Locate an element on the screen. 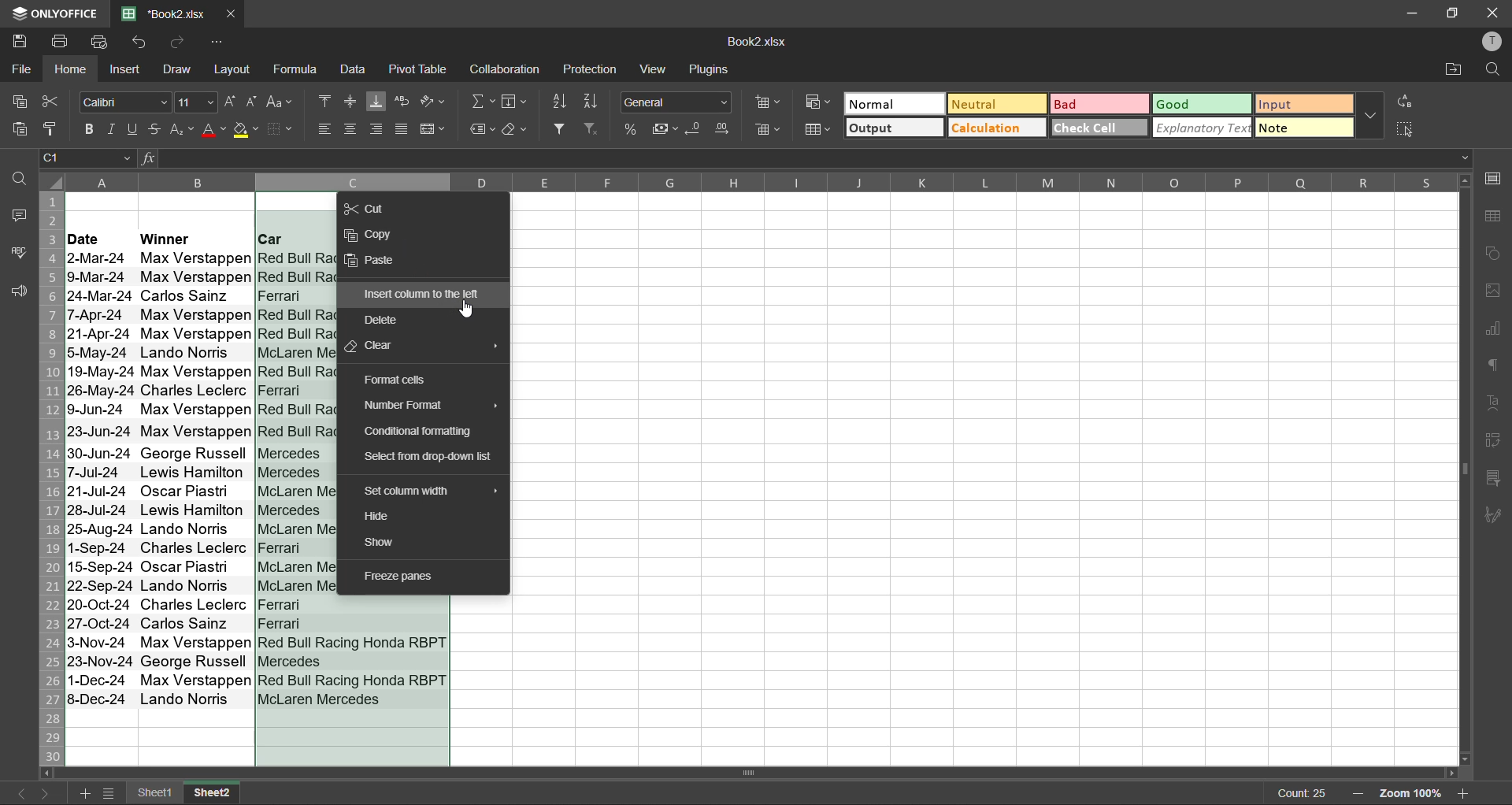 This screenshot has width=1512, height=805. quick print is located at coordinates (102, 42).